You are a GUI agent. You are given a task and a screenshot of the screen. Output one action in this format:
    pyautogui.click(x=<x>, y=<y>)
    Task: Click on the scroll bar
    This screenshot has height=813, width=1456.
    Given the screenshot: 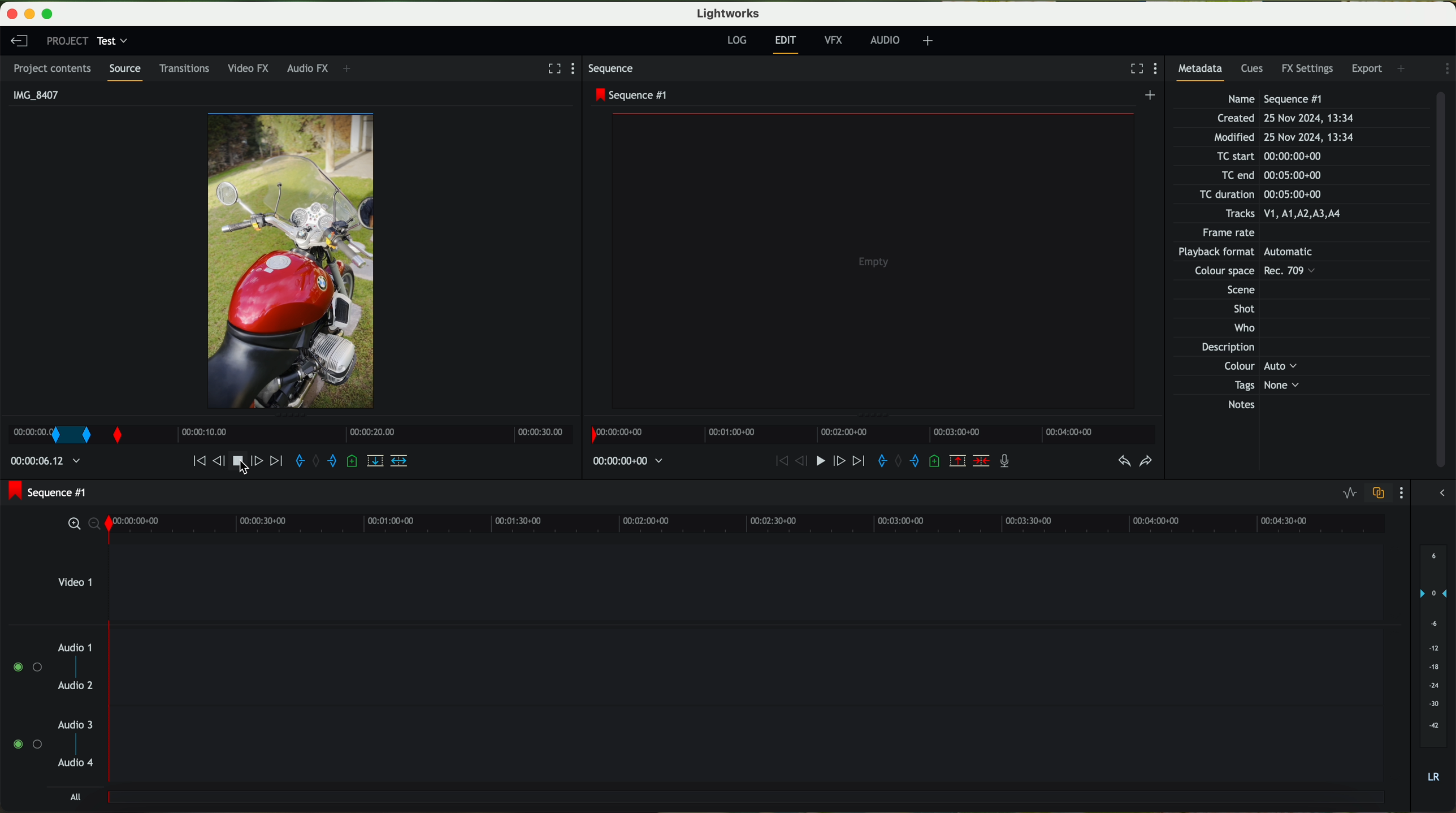 What is the action you would take?
    pyautogui.click(x=1446, y=281)
    